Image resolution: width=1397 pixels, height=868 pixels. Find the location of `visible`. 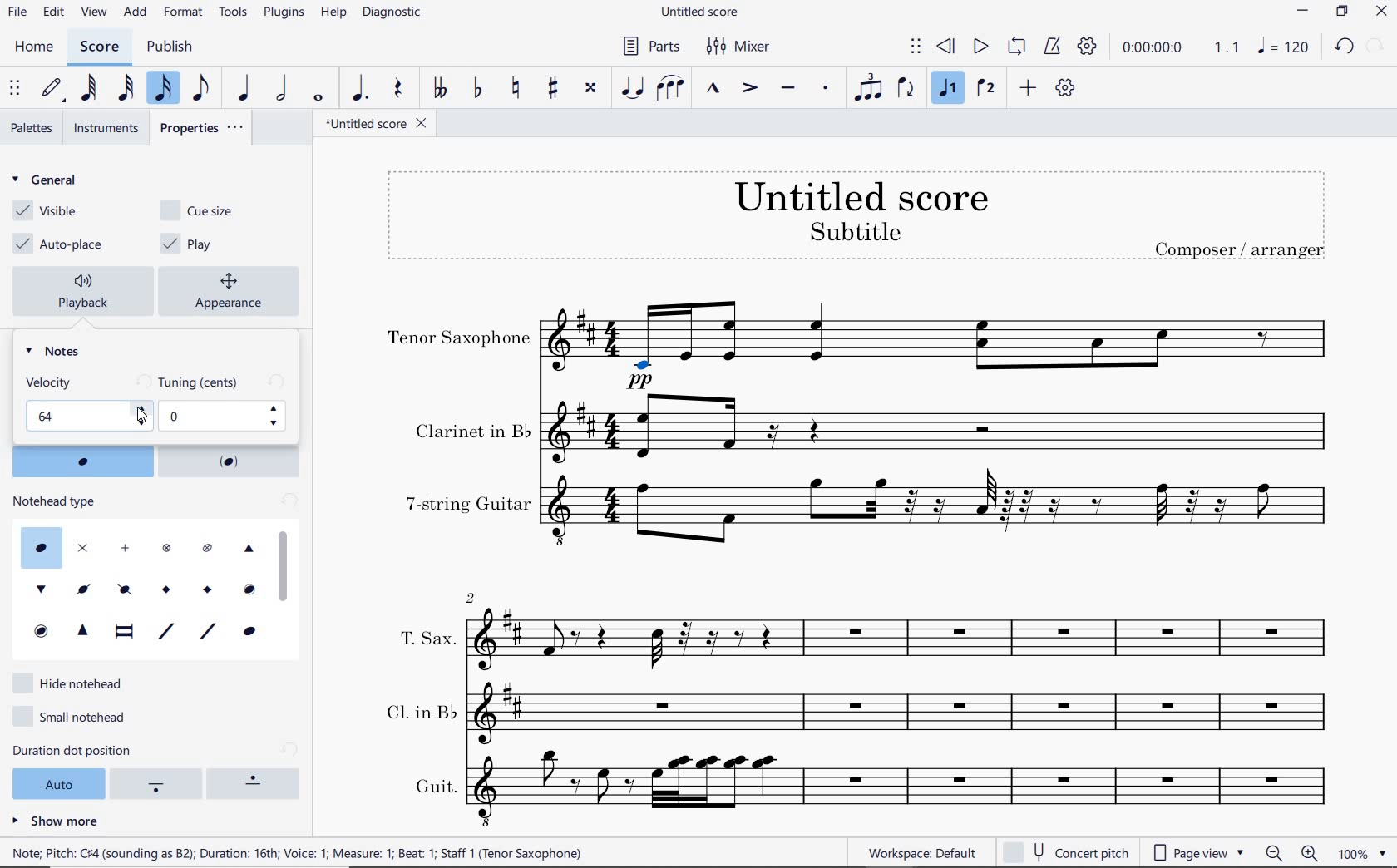

visible is located at coordinates (42, 211).